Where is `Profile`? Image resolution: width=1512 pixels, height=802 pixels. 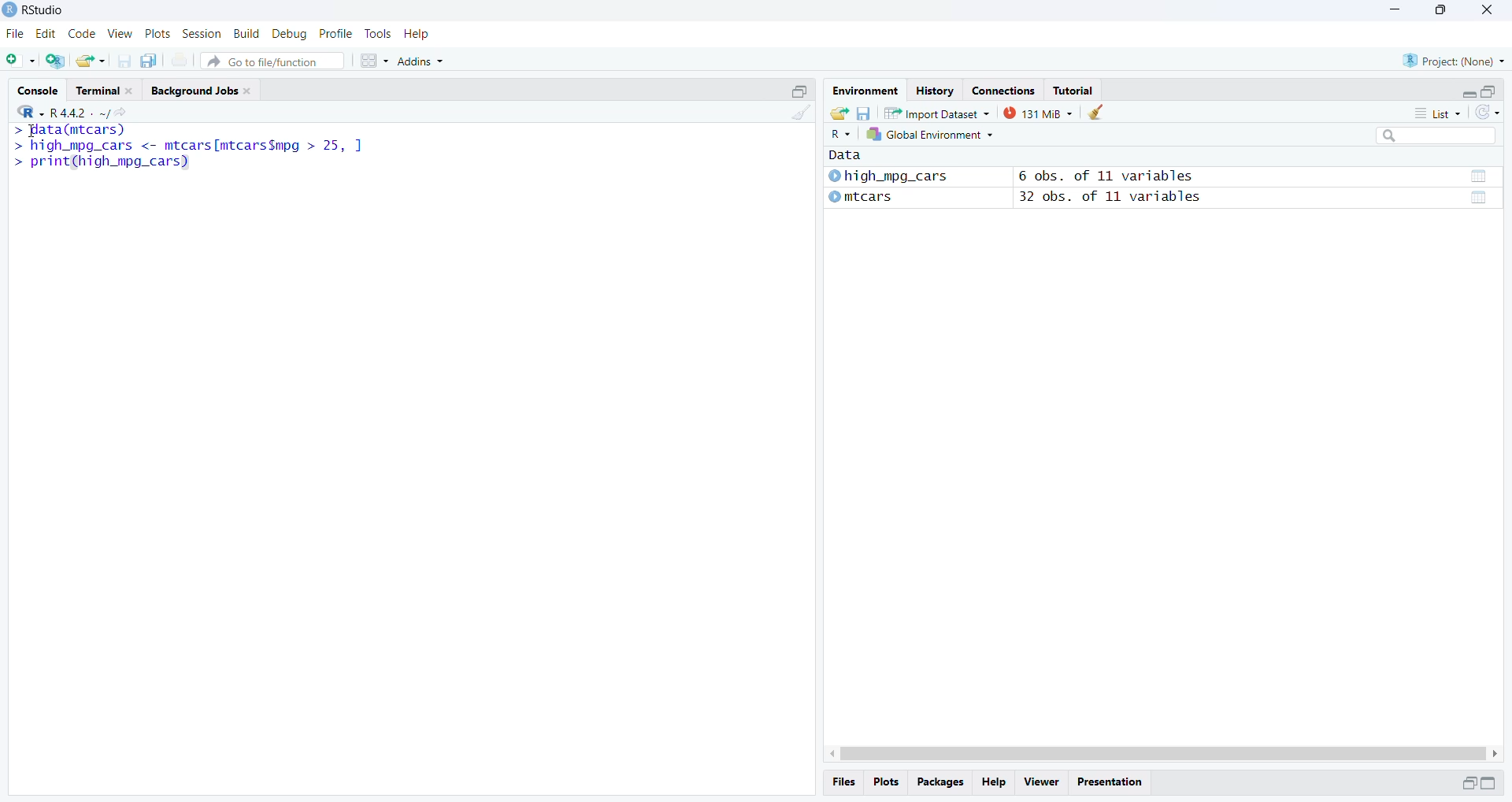 Profile is located at coordinates (335, 34).